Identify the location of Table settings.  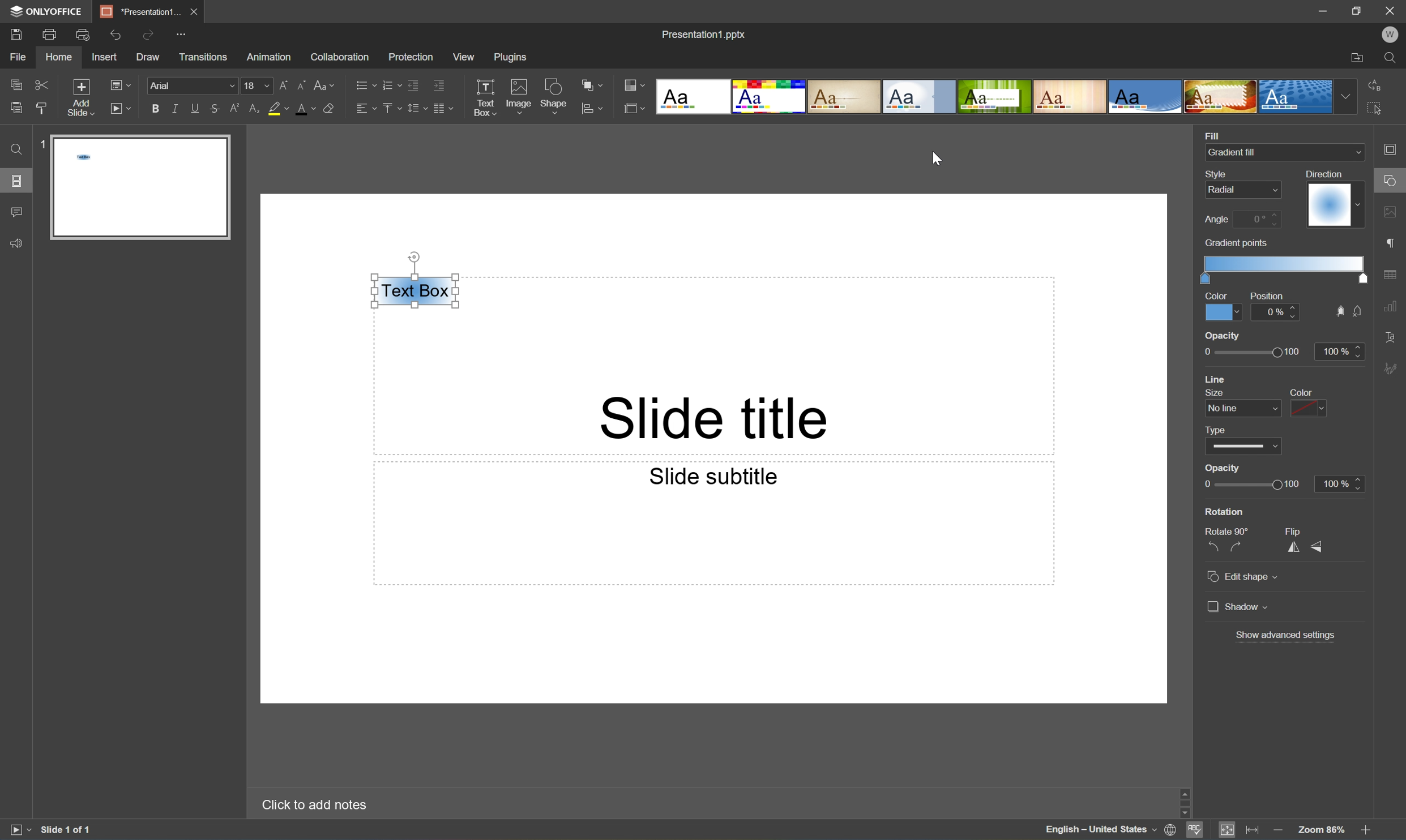
(1395, 273).